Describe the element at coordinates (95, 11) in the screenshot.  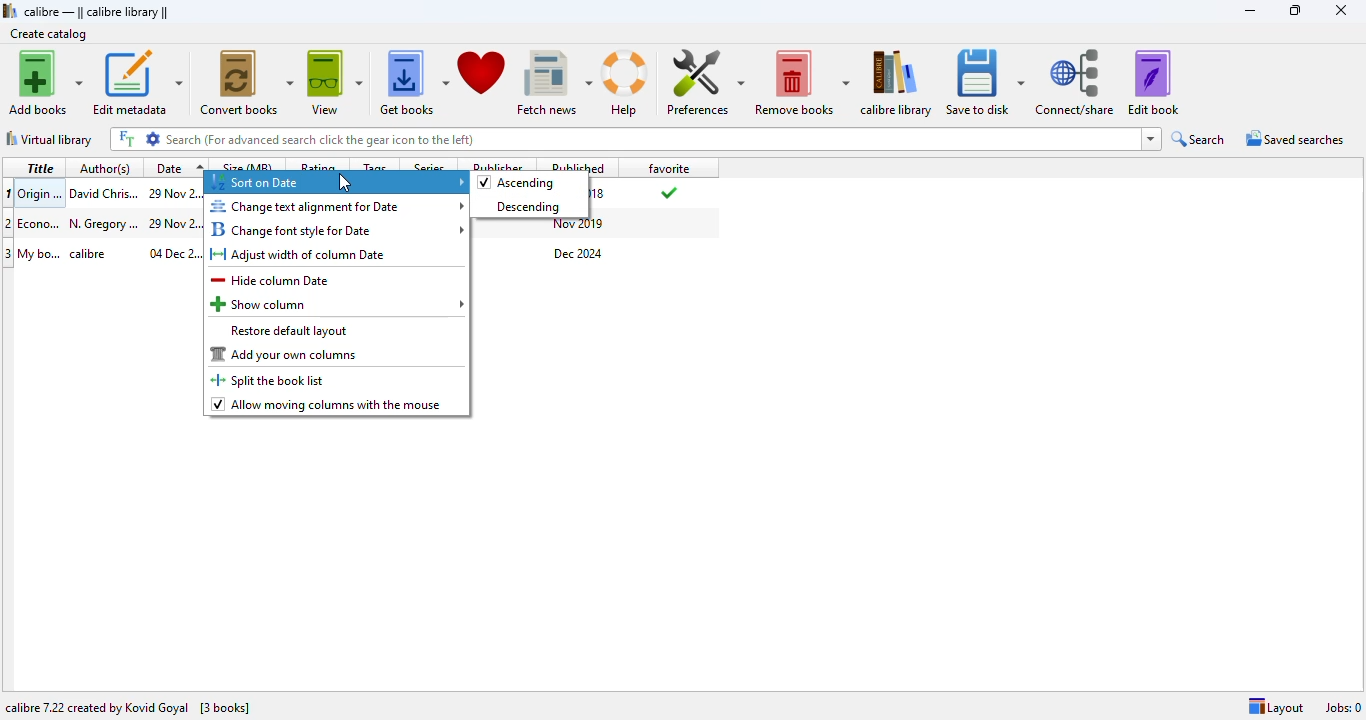
I see `calibre library` at that location.